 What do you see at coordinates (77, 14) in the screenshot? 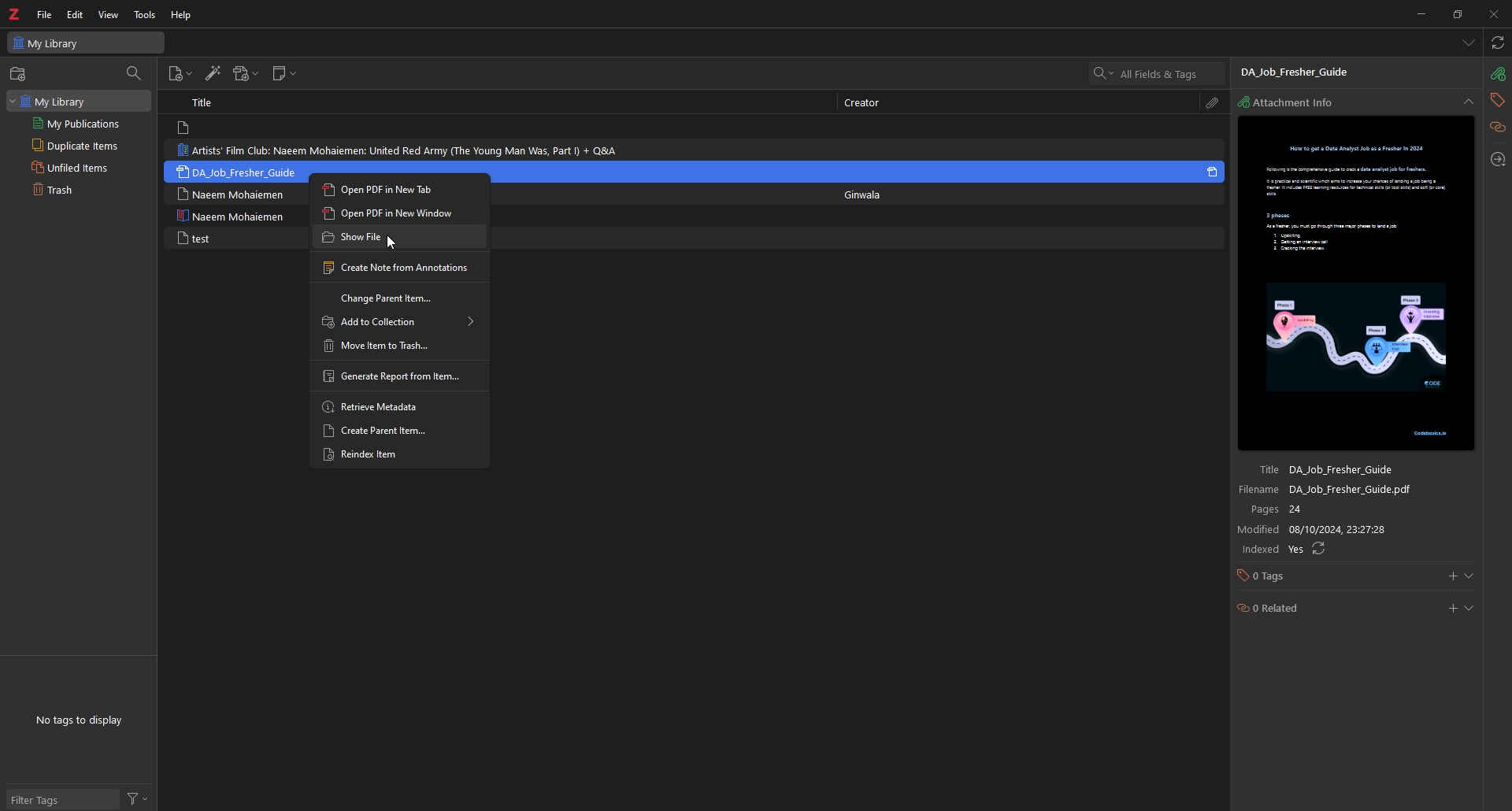
I see `edit` at bounding box center [77, 14].